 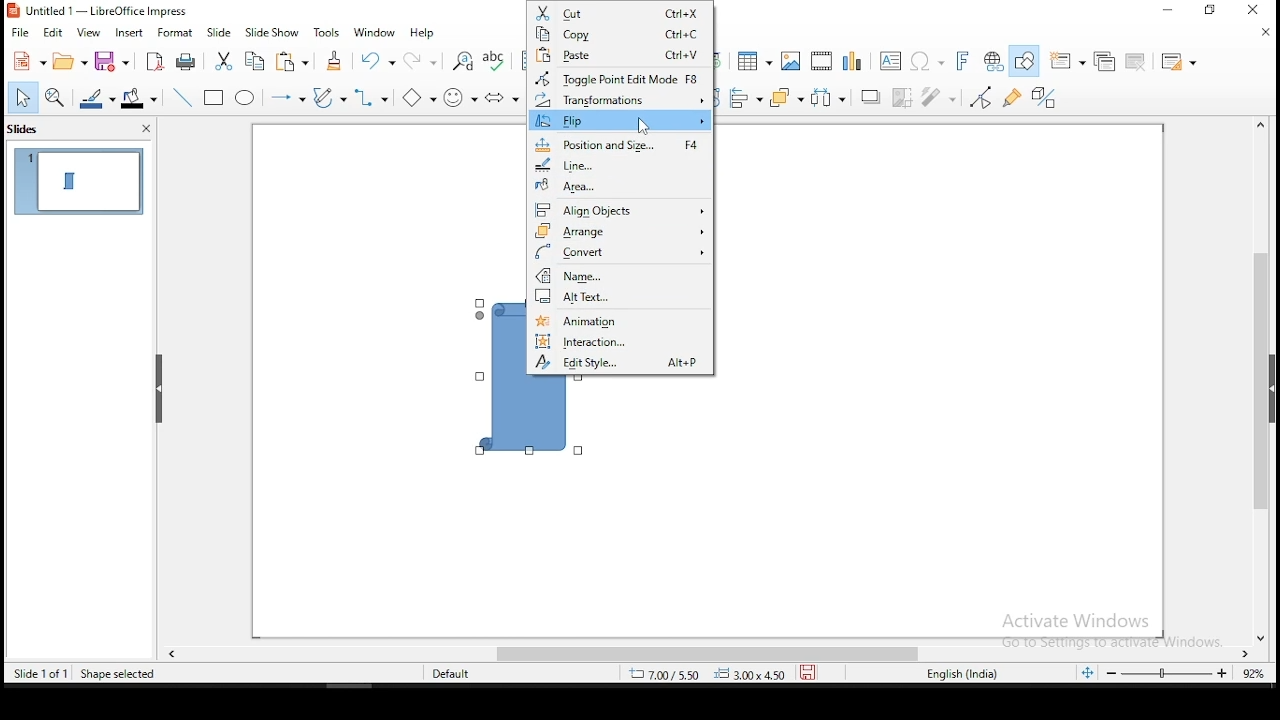 What do you see at coordinates (747, 95) in the screenshot?
I see `align objects` at bounding box center [747, 95].